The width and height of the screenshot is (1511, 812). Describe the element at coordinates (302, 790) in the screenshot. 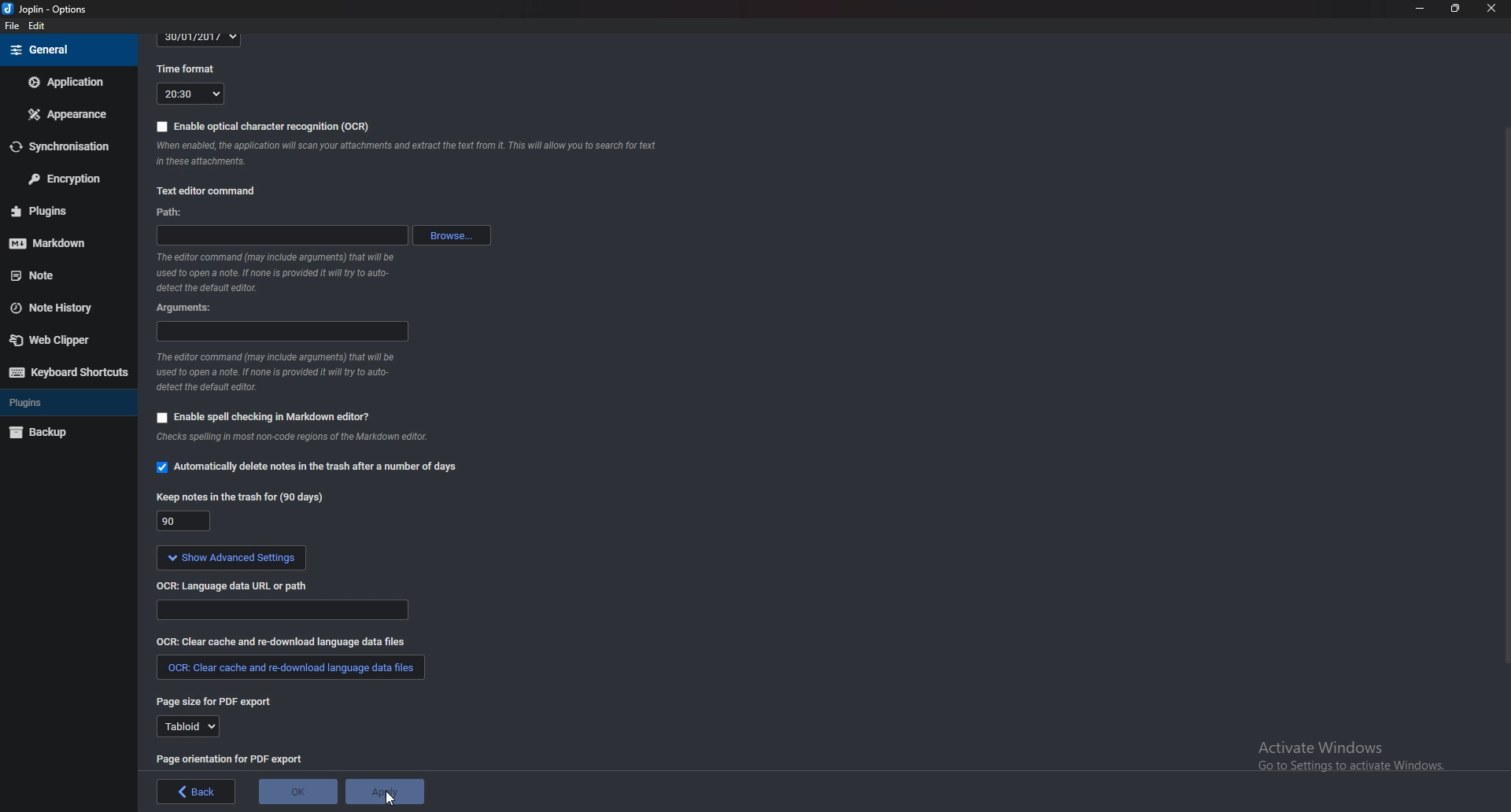

I see `O K` at that location.